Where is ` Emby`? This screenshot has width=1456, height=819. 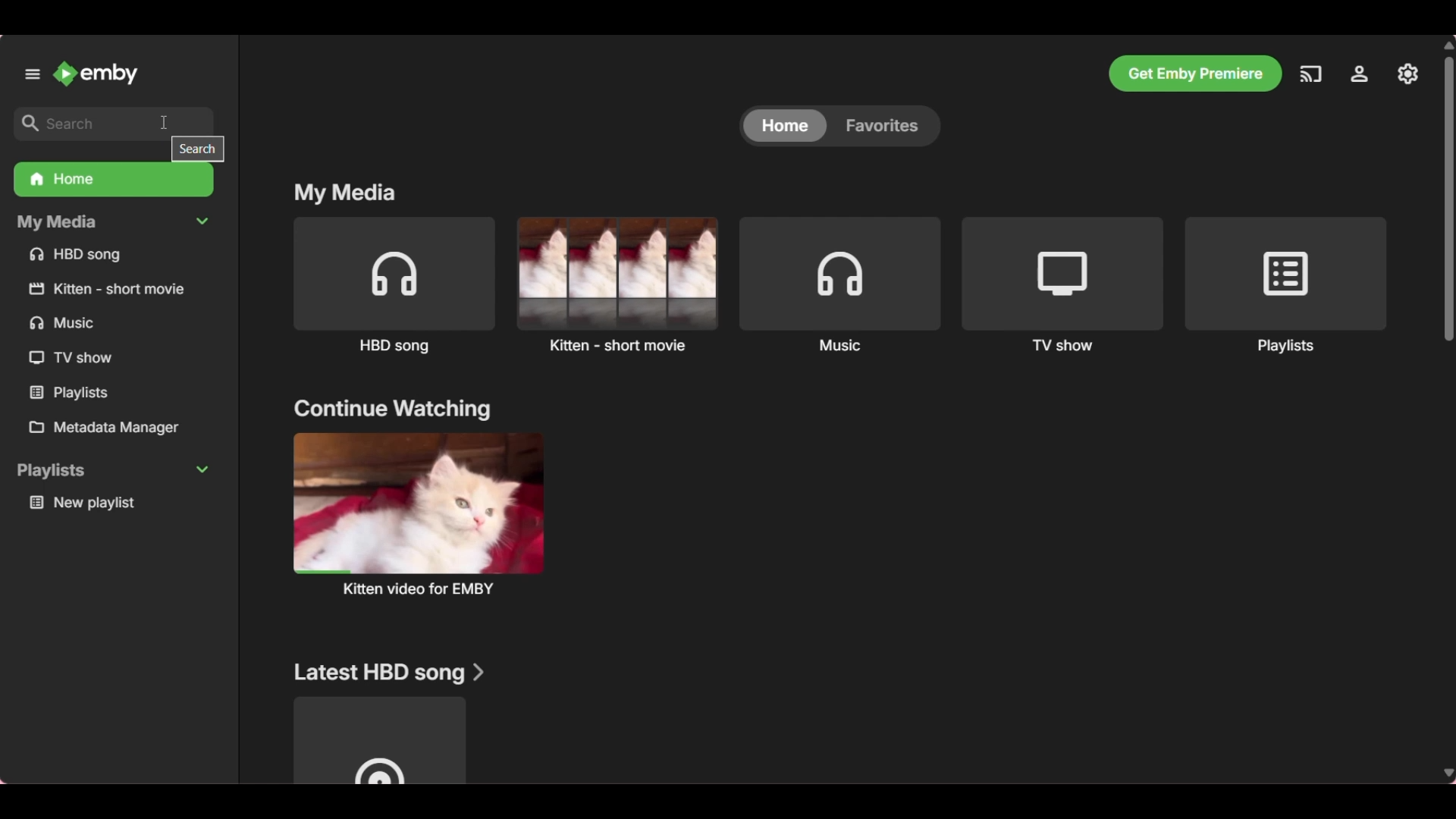  Emby is located at coordinates (97, 74).